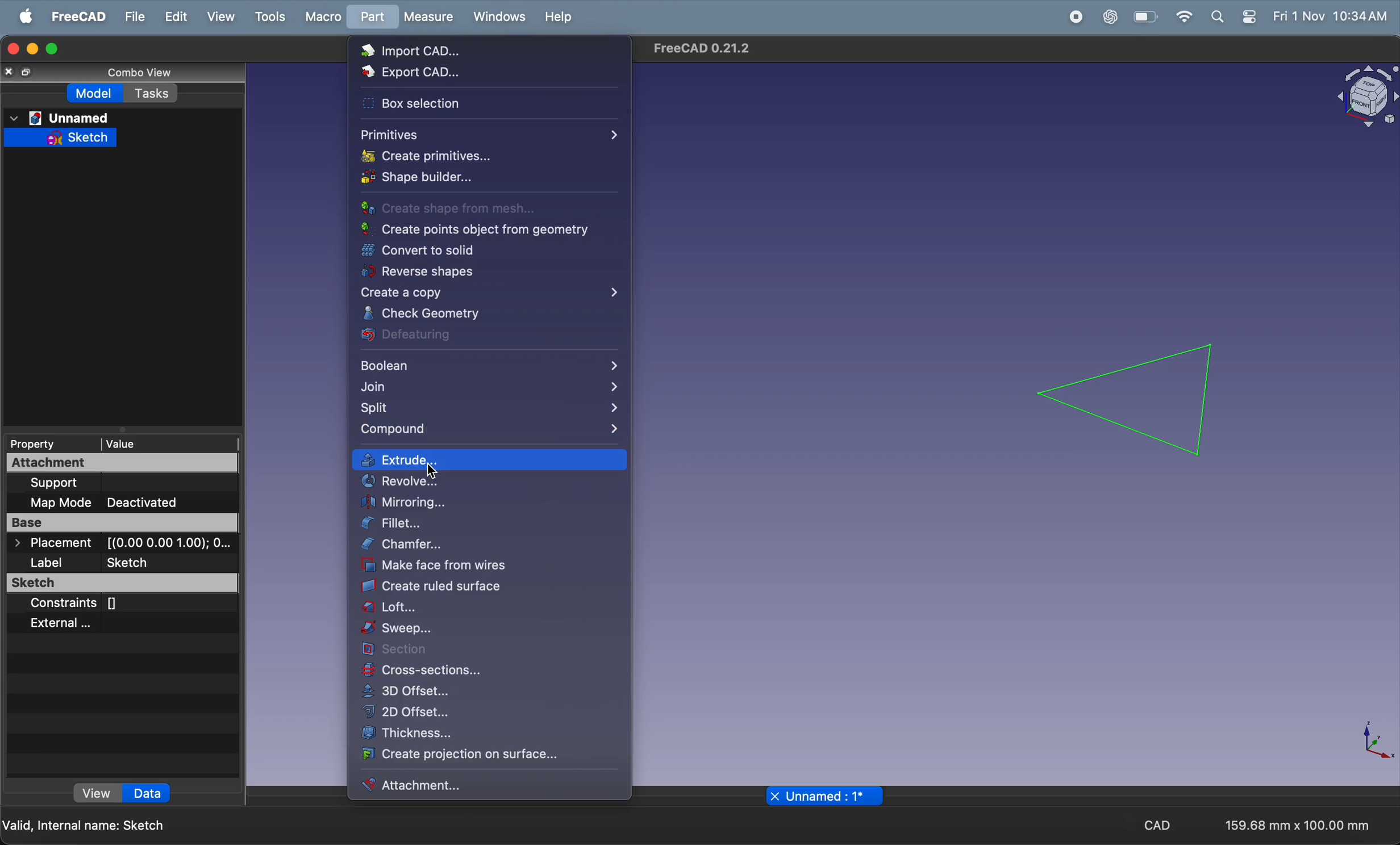  Describe the element at coordinates (1162, 826) in the screenshot. I see `cad` at that location.